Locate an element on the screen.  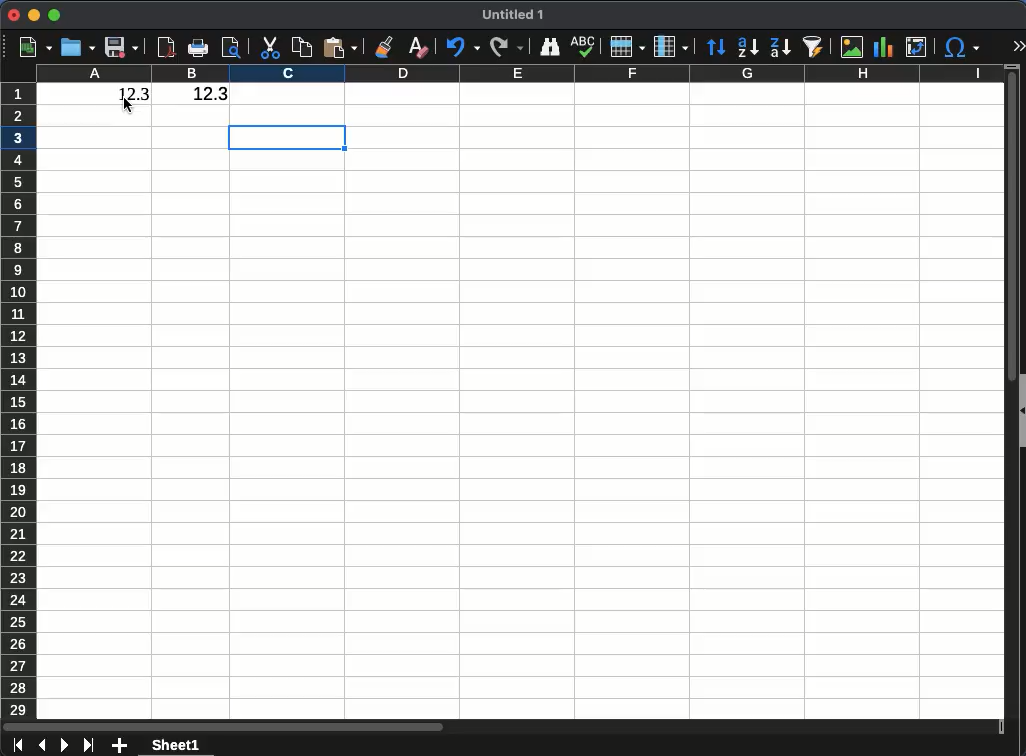
row is located at coordinates (626, 46).